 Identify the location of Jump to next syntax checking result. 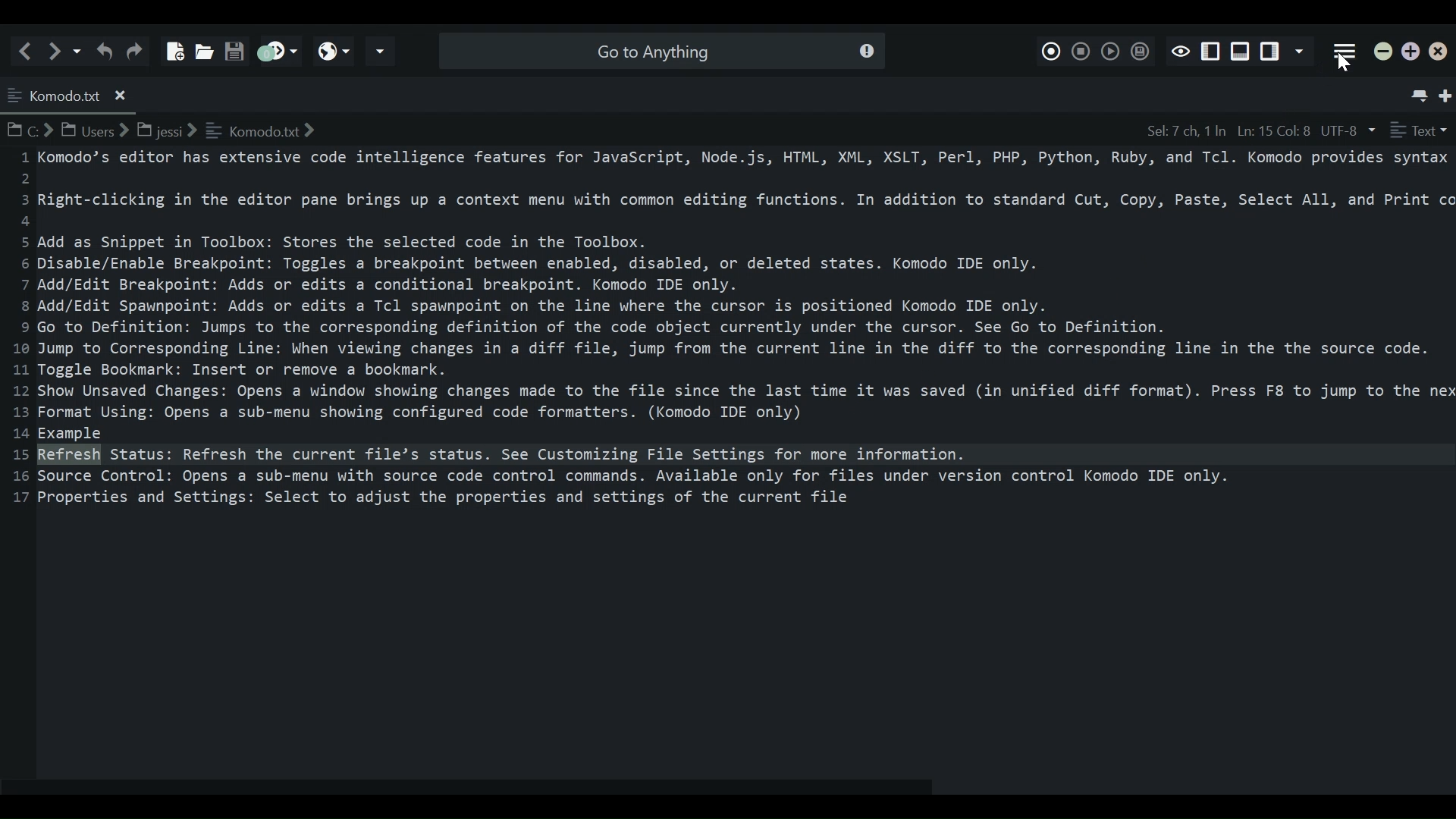
(276, 51).